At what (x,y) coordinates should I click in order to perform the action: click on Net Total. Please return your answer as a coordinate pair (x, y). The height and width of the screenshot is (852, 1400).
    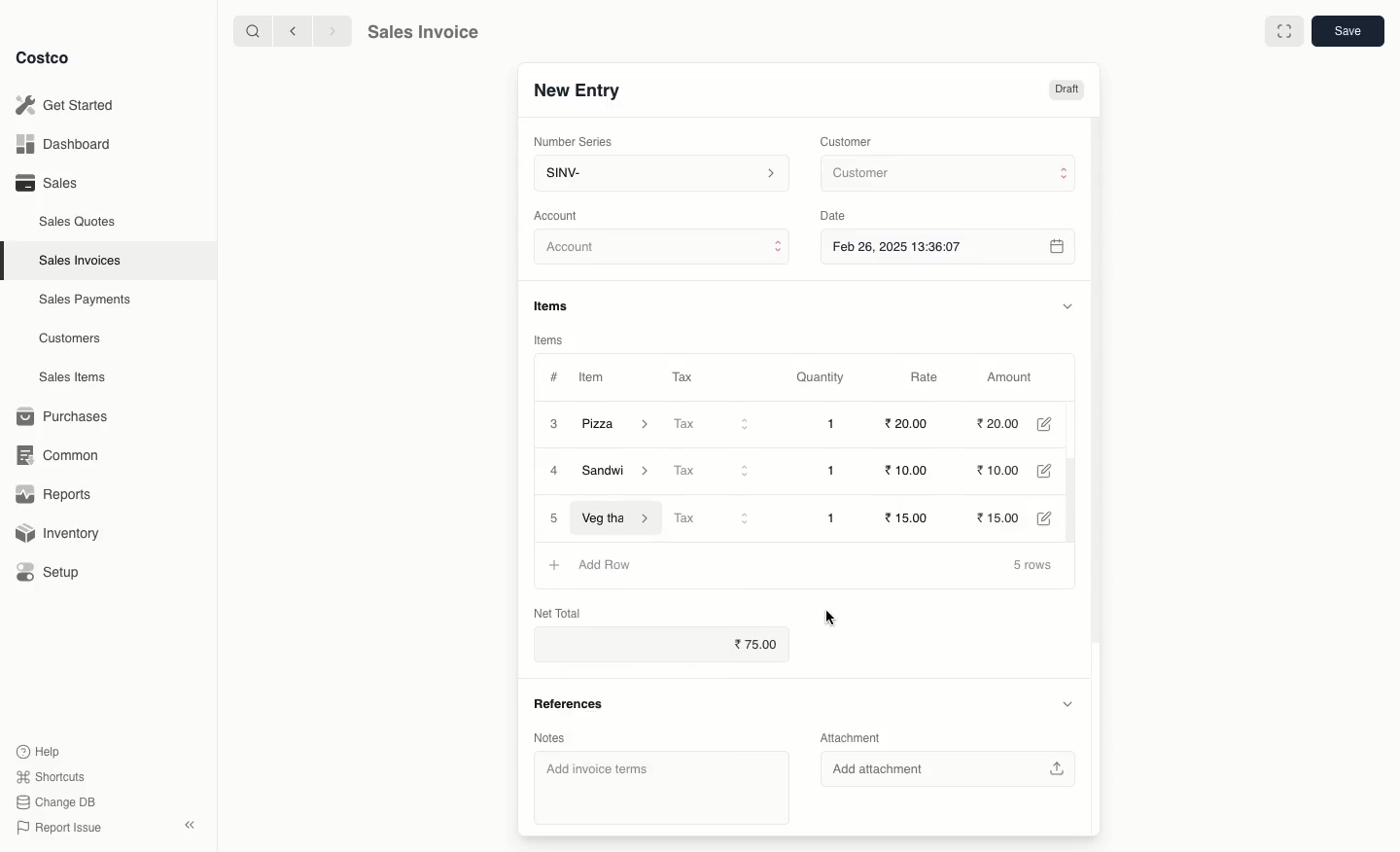
    Looking at the image, I should click on (556, 611).